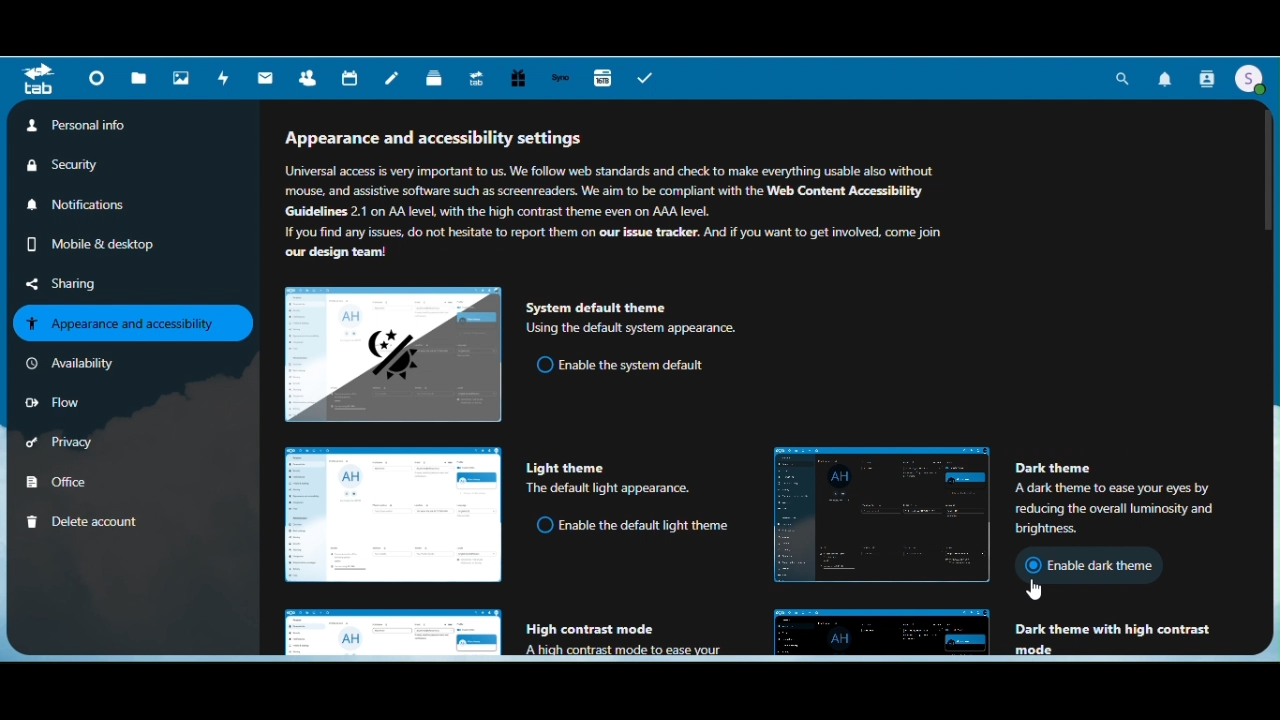 This screenshot has width=1280, height=720. What do you see at coordinates (58, 401) in the screenshot?
I see `Flow` at bounding box center [58, 401].